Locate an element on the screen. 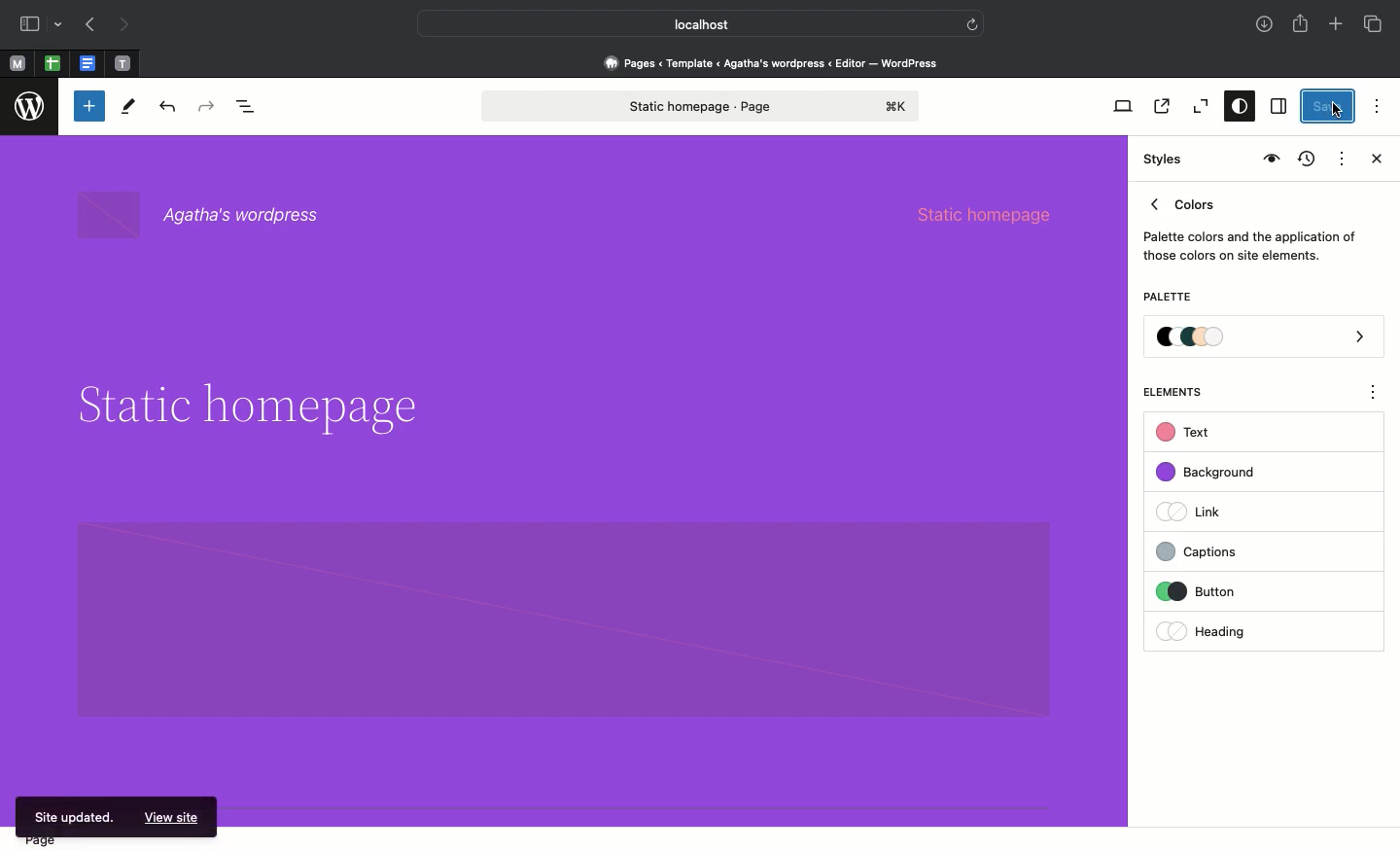 The width and height of the screenshot is (1400, 850). cursor is located at coordinates (1337, 111).